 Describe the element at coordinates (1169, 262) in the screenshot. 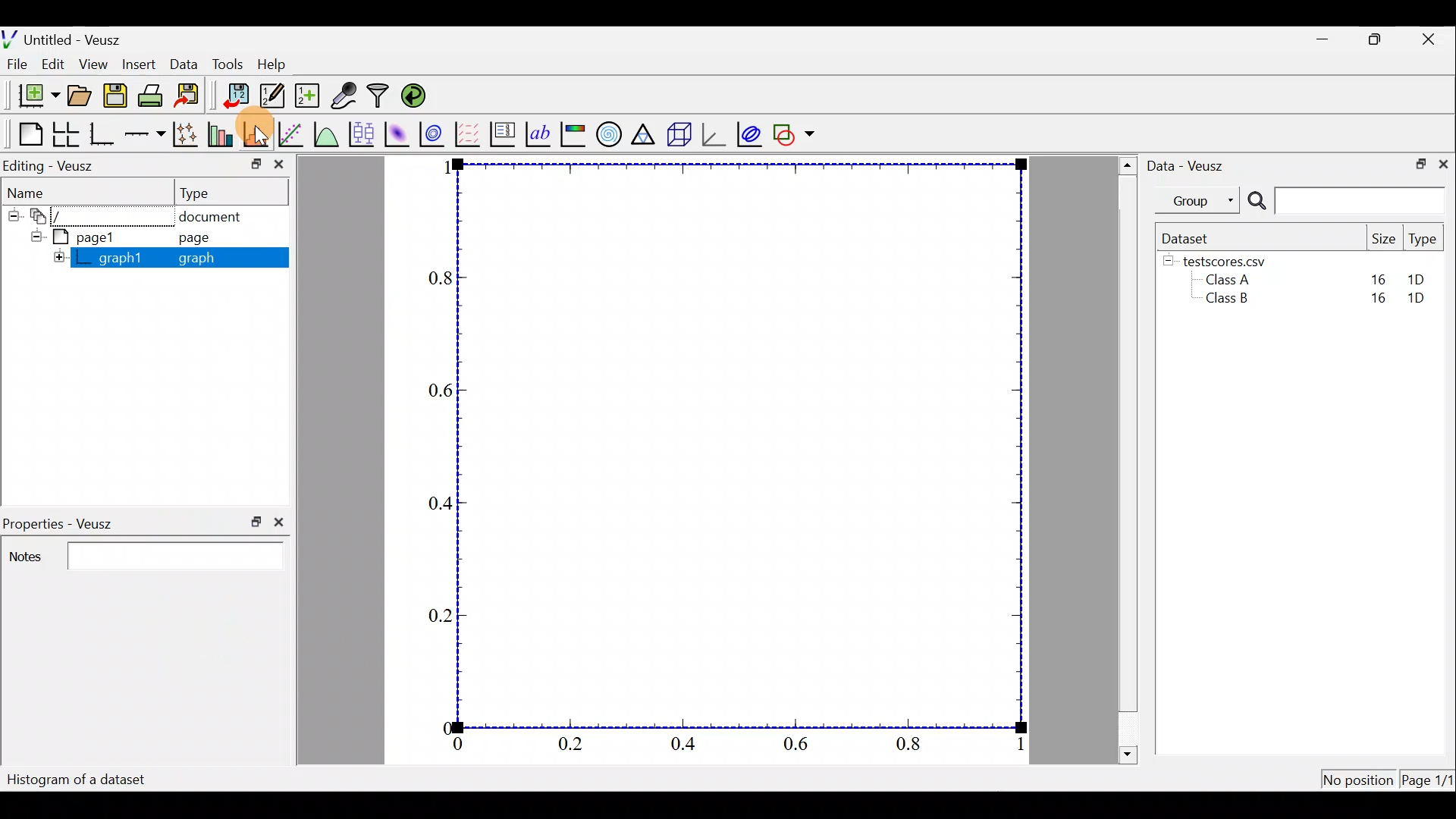

I see `hide` at that location.